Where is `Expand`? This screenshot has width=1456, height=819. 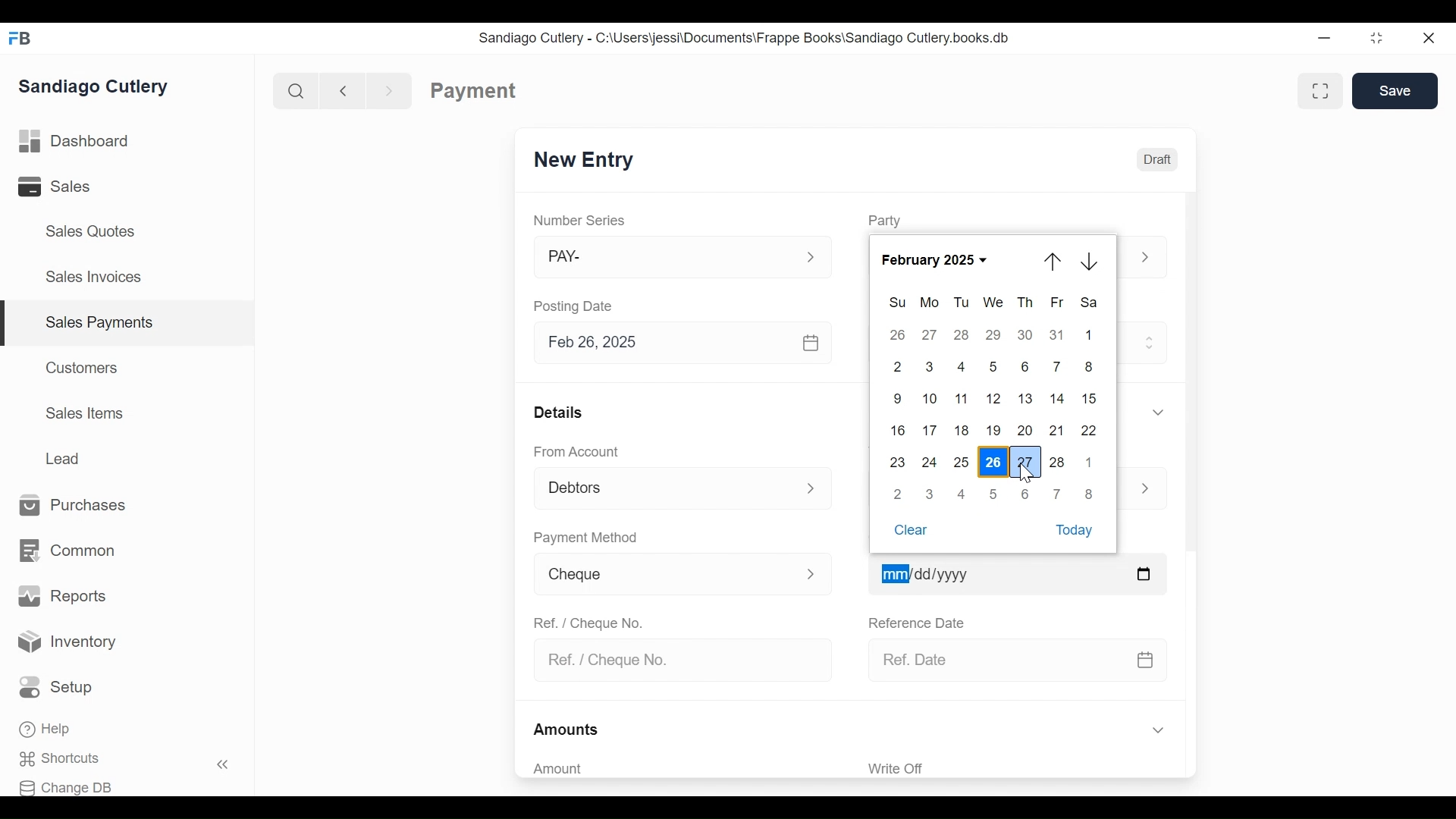 Expand is located at coordinates (814, 488).